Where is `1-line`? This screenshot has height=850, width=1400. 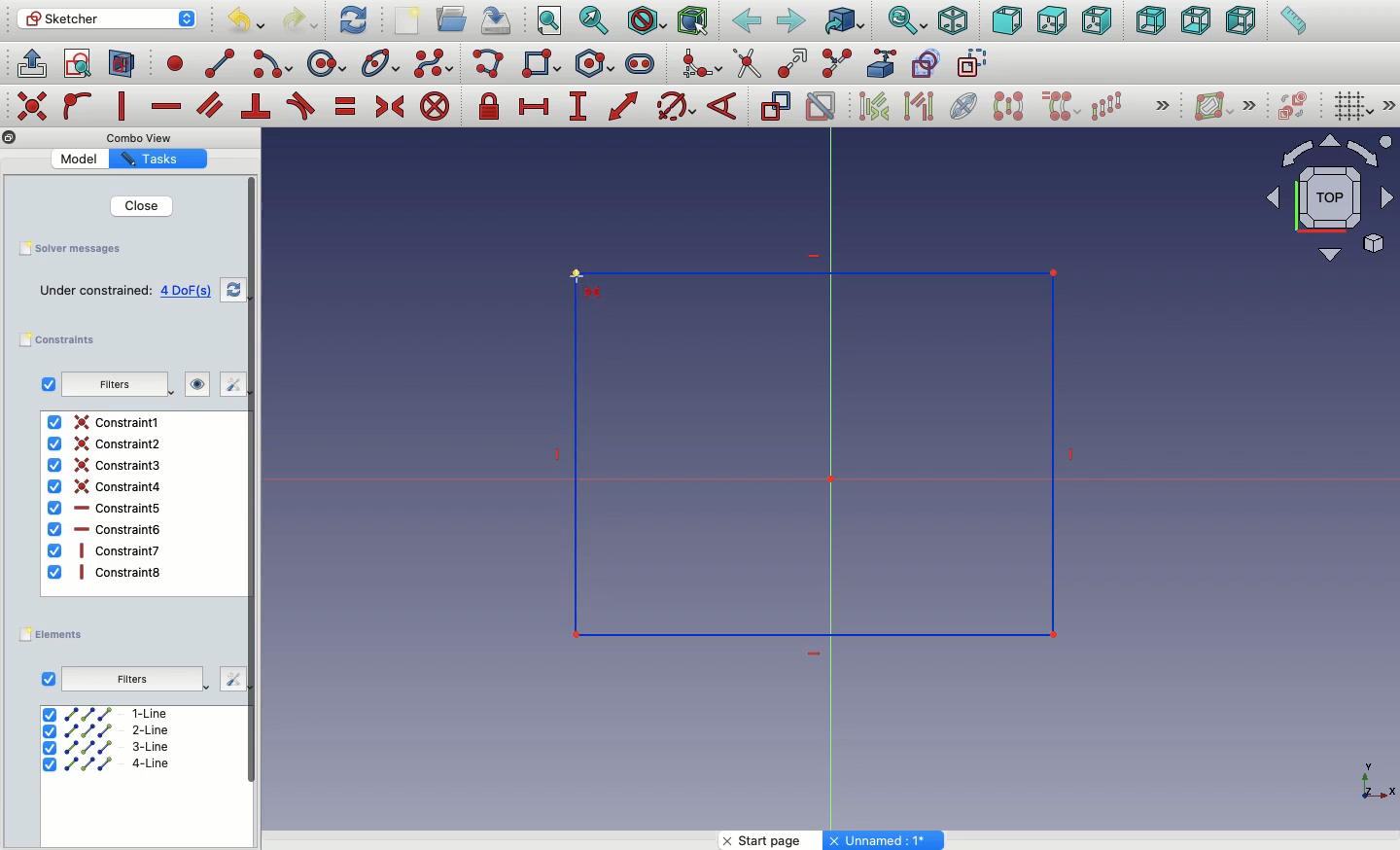
1-line is located at coordinates (108, 713).